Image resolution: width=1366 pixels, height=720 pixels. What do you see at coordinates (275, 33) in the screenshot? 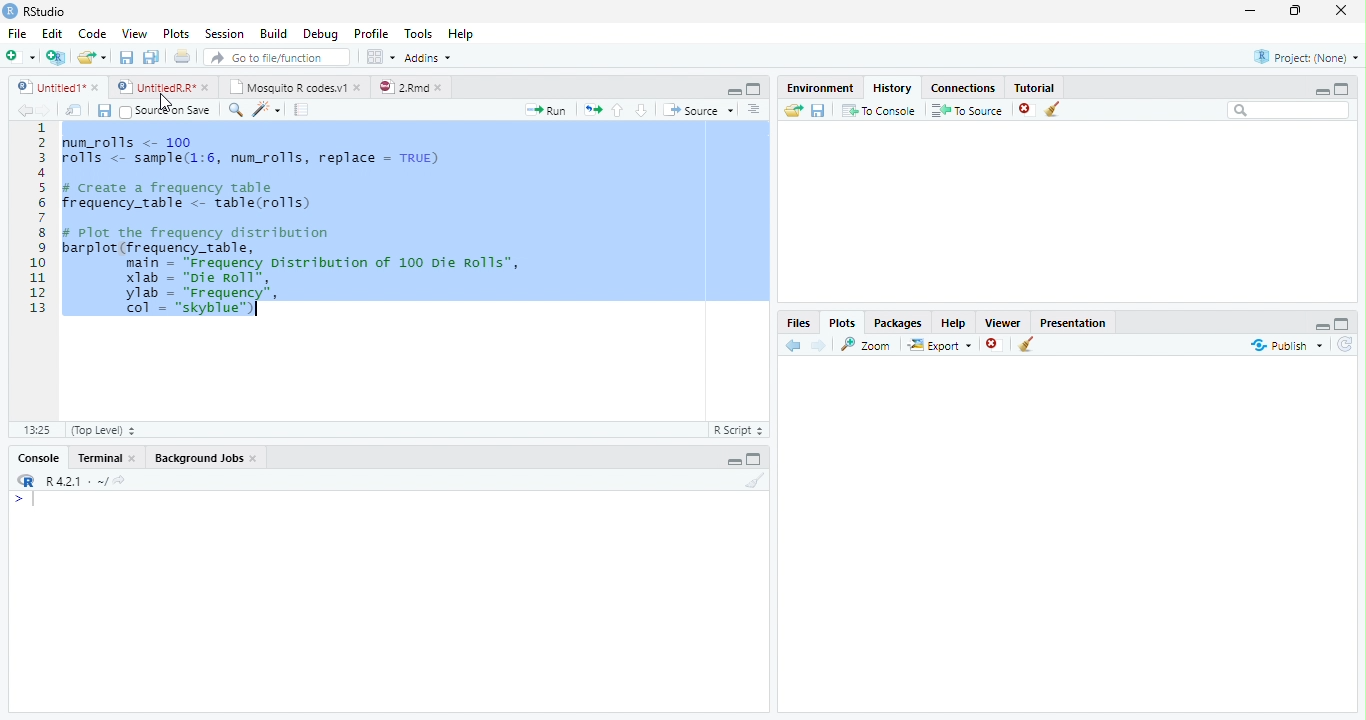
I see `Build` at bounding box center [275, 33].